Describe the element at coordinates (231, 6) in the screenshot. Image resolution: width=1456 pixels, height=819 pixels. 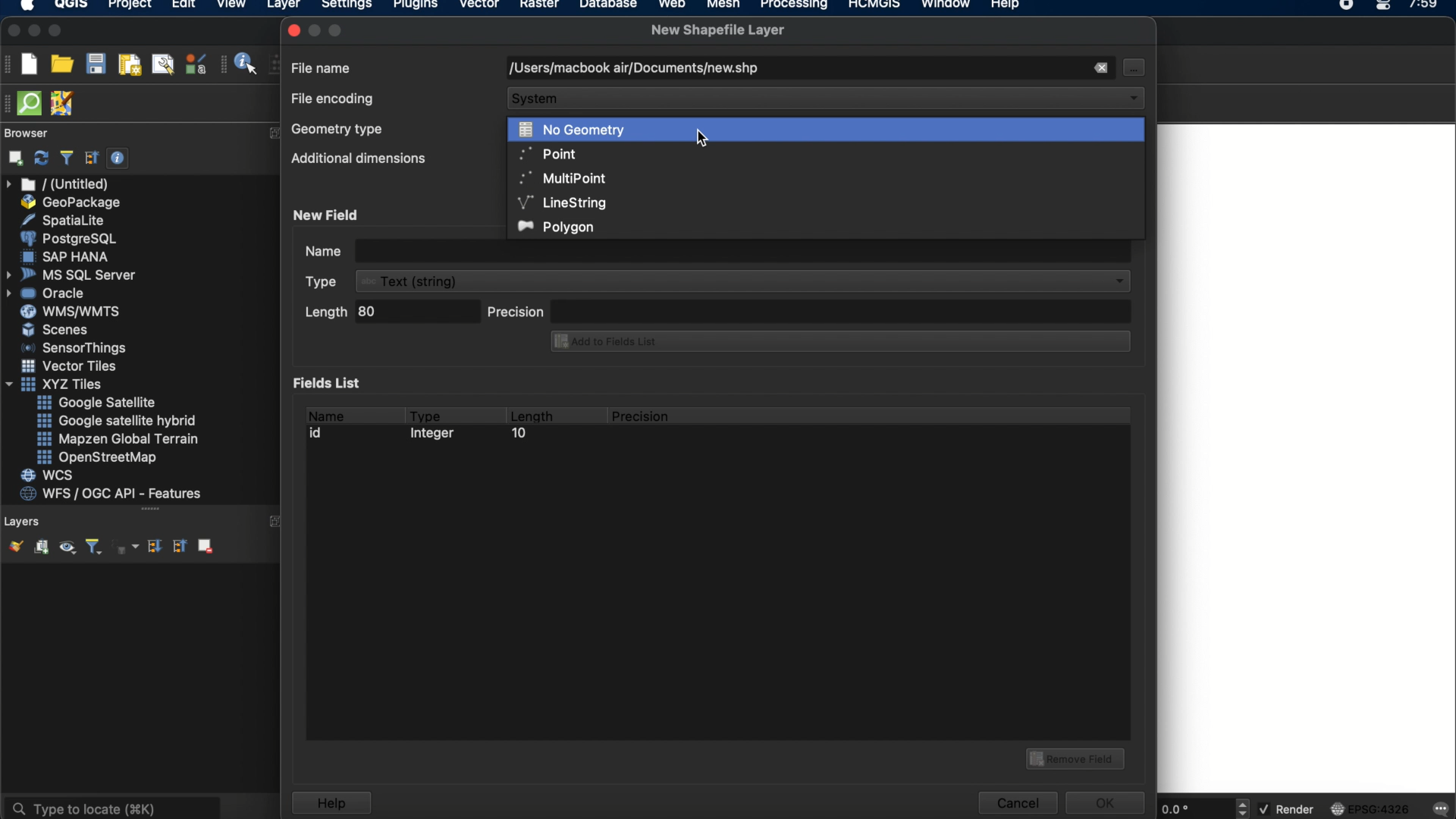
I see `view` at that location.